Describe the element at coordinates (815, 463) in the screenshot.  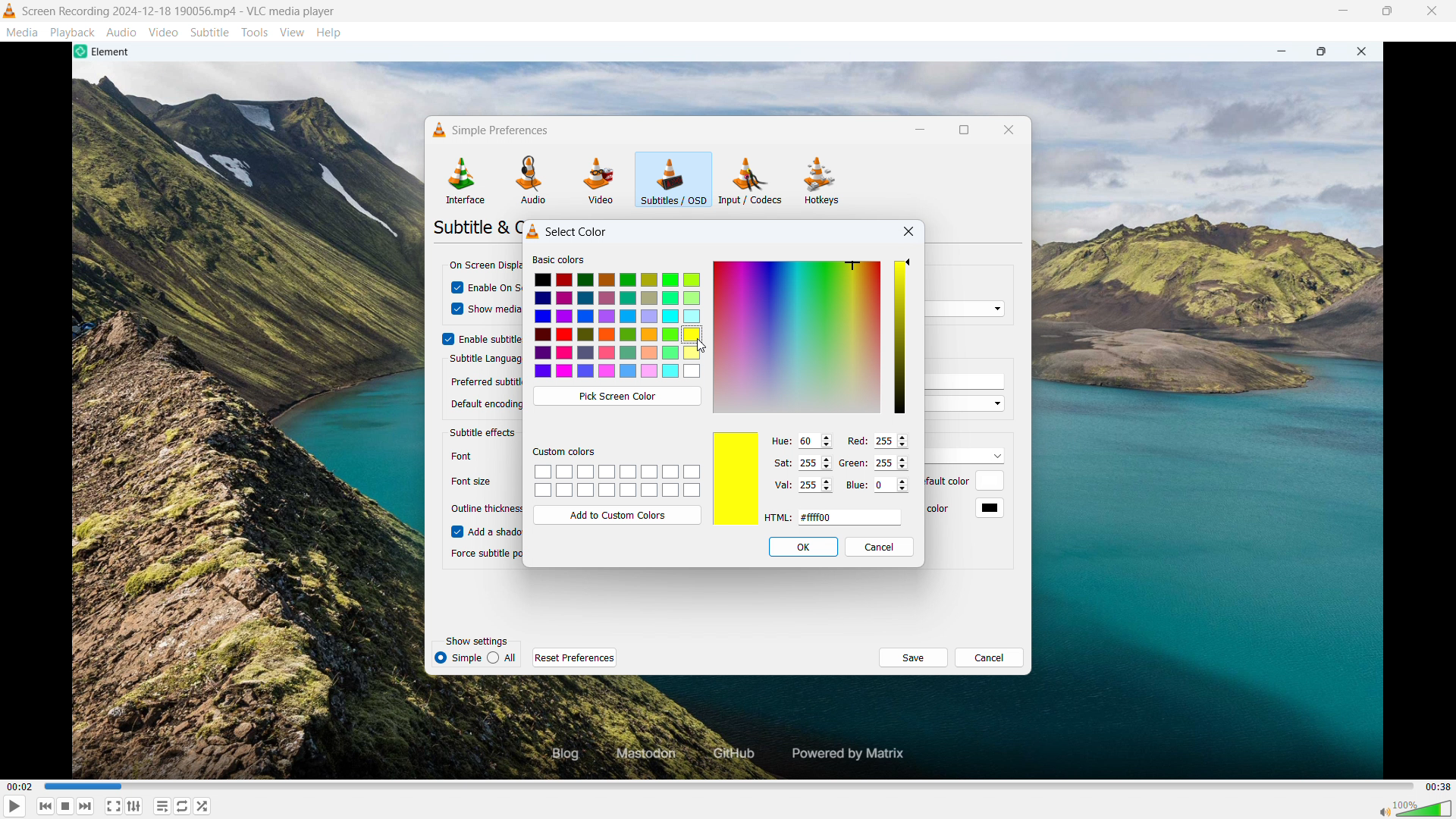
I see `Set saturation ` at that location.